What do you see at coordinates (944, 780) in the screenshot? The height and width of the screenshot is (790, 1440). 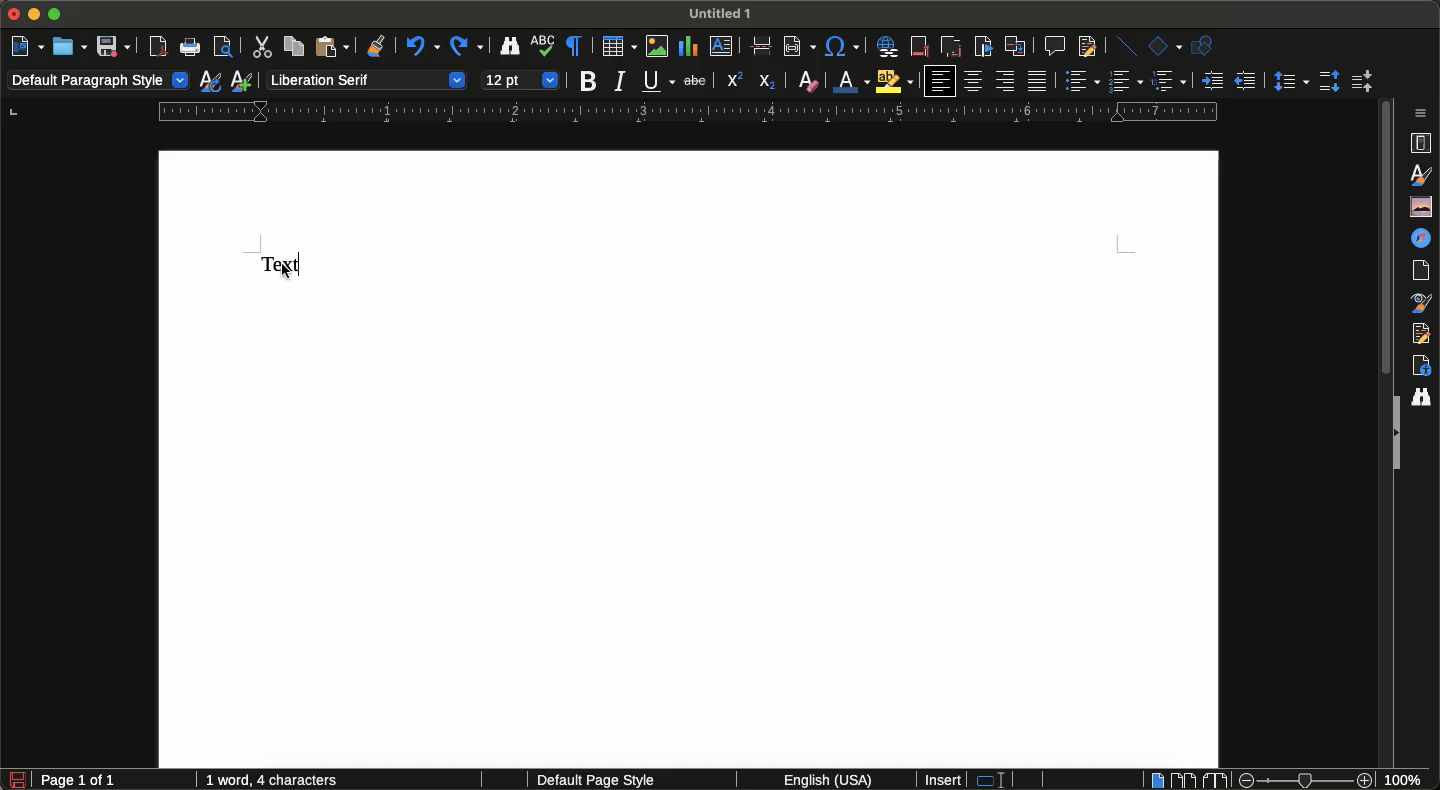 I see `Insert` at bounding box center [944, 780].